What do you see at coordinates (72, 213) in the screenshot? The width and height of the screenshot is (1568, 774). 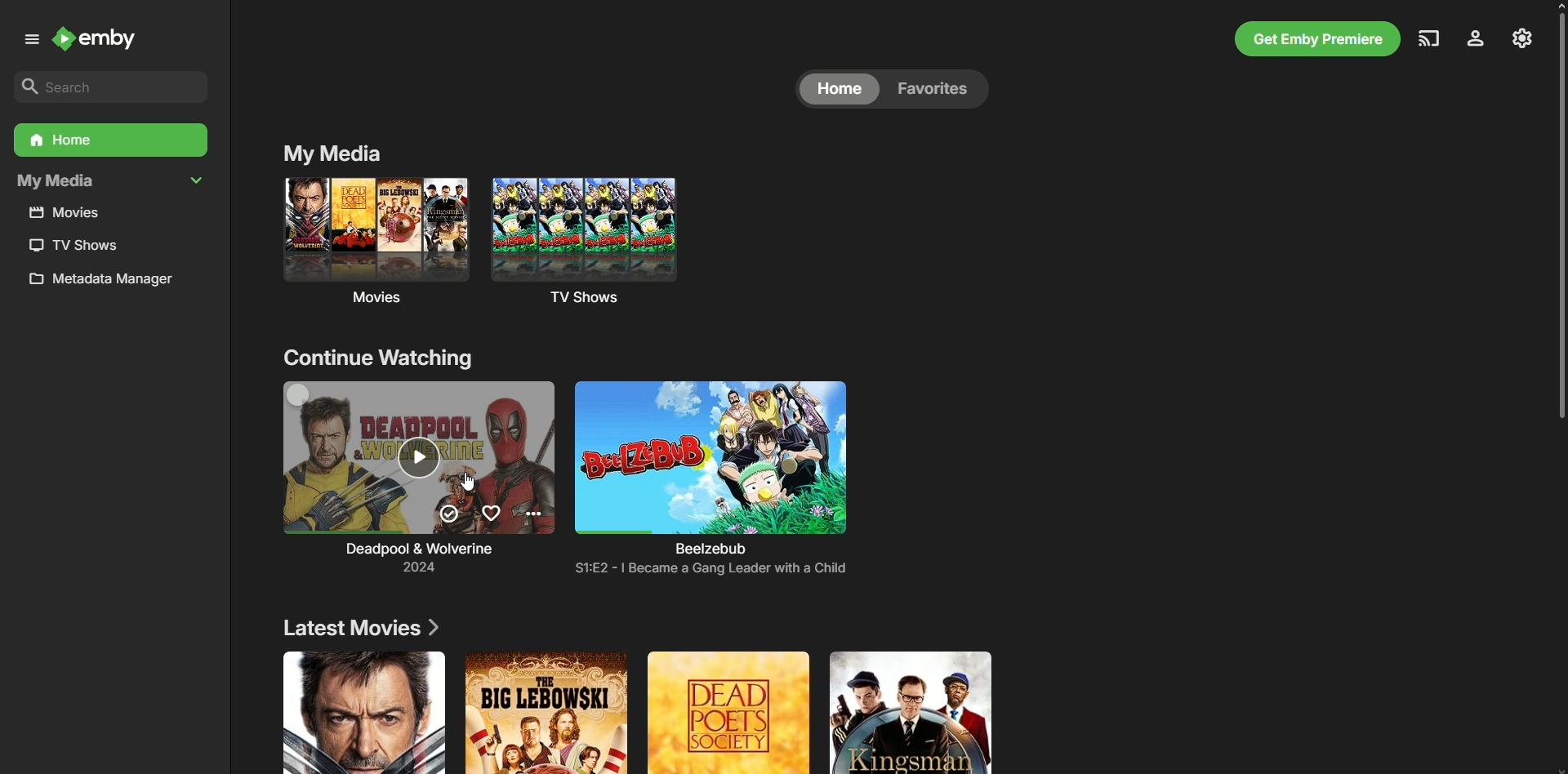 I see `Movies` at bounding box center [72, 213].